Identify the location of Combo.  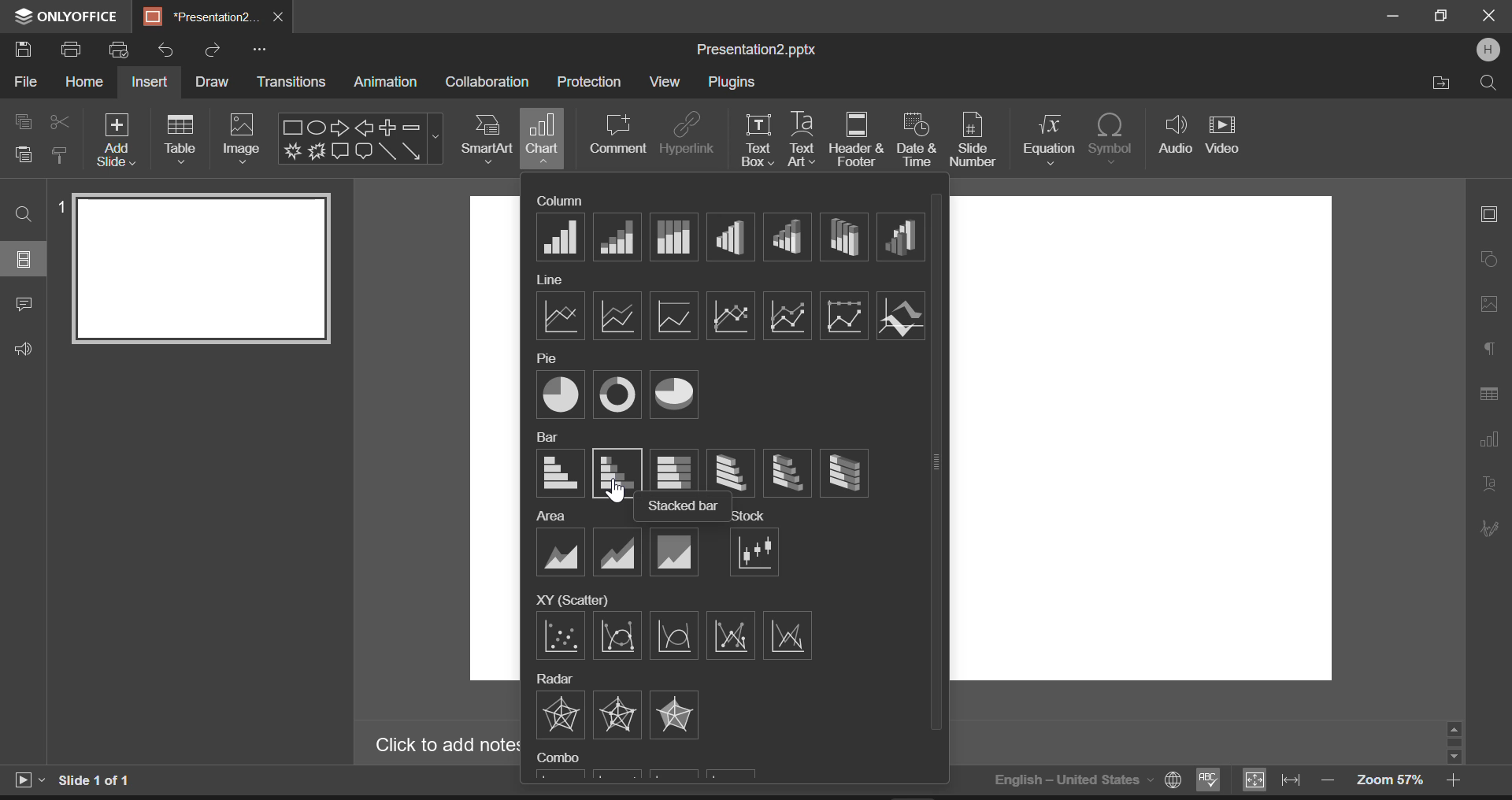
(559, 757).